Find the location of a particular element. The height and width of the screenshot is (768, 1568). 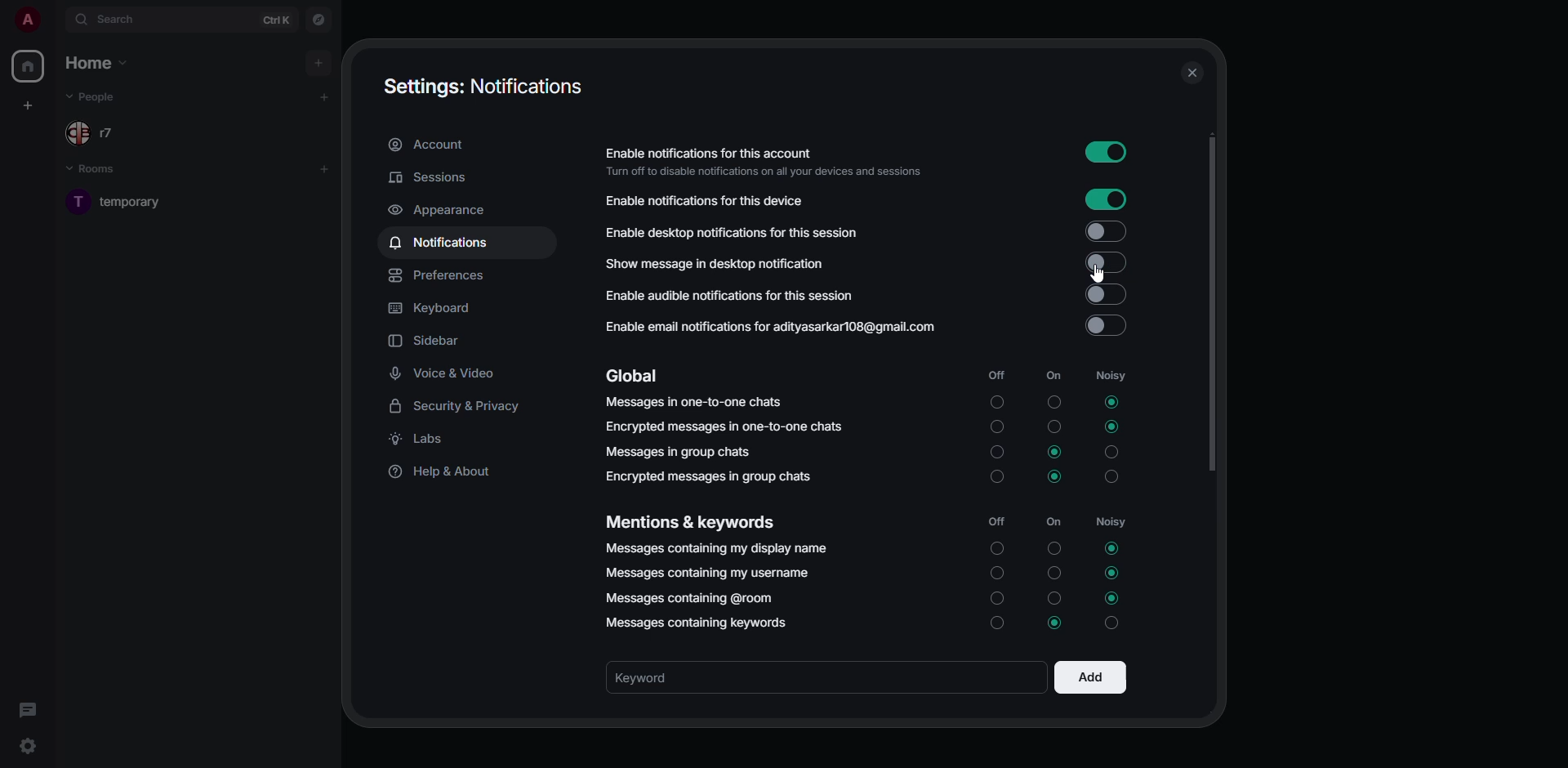

profile is located at coordinates (25, 20).